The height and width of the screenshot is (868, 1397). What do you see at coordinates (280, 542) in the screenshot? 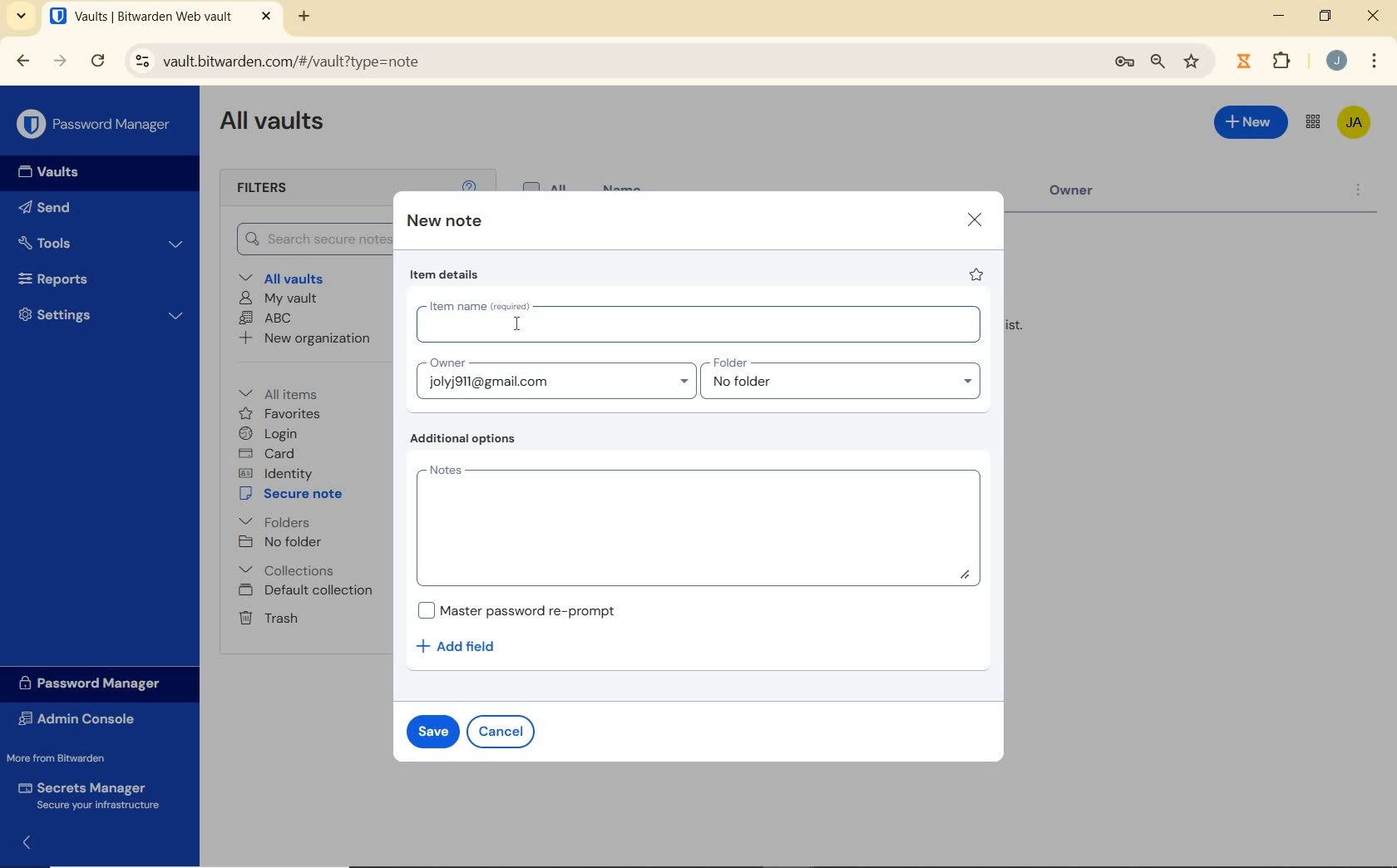
I see `No folder` at bounding box center [280, 542].